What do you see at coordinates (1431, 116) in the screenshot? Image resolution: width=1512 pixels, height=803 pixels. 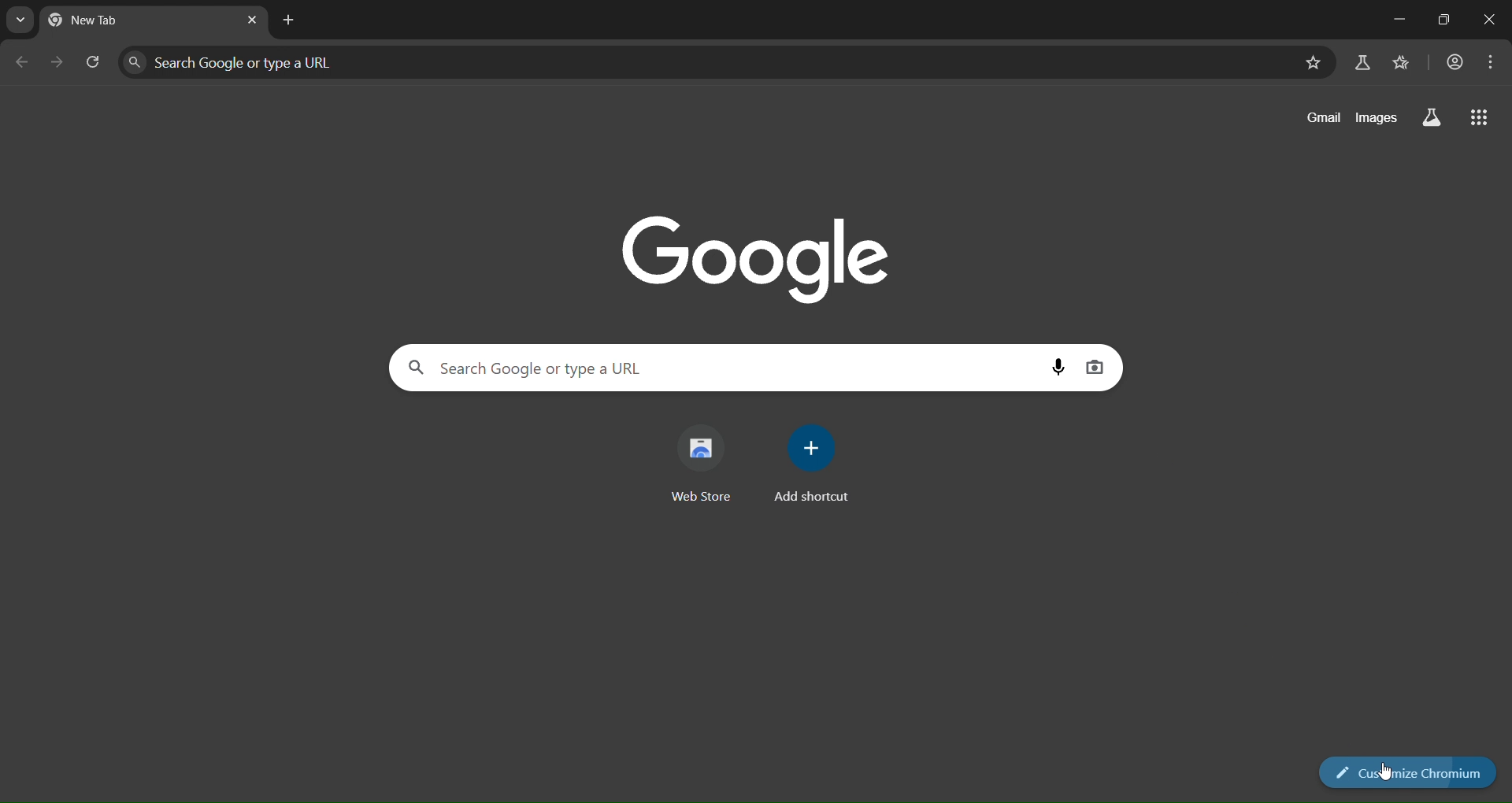 I see `search labs` at bounding box center [1431, 116].